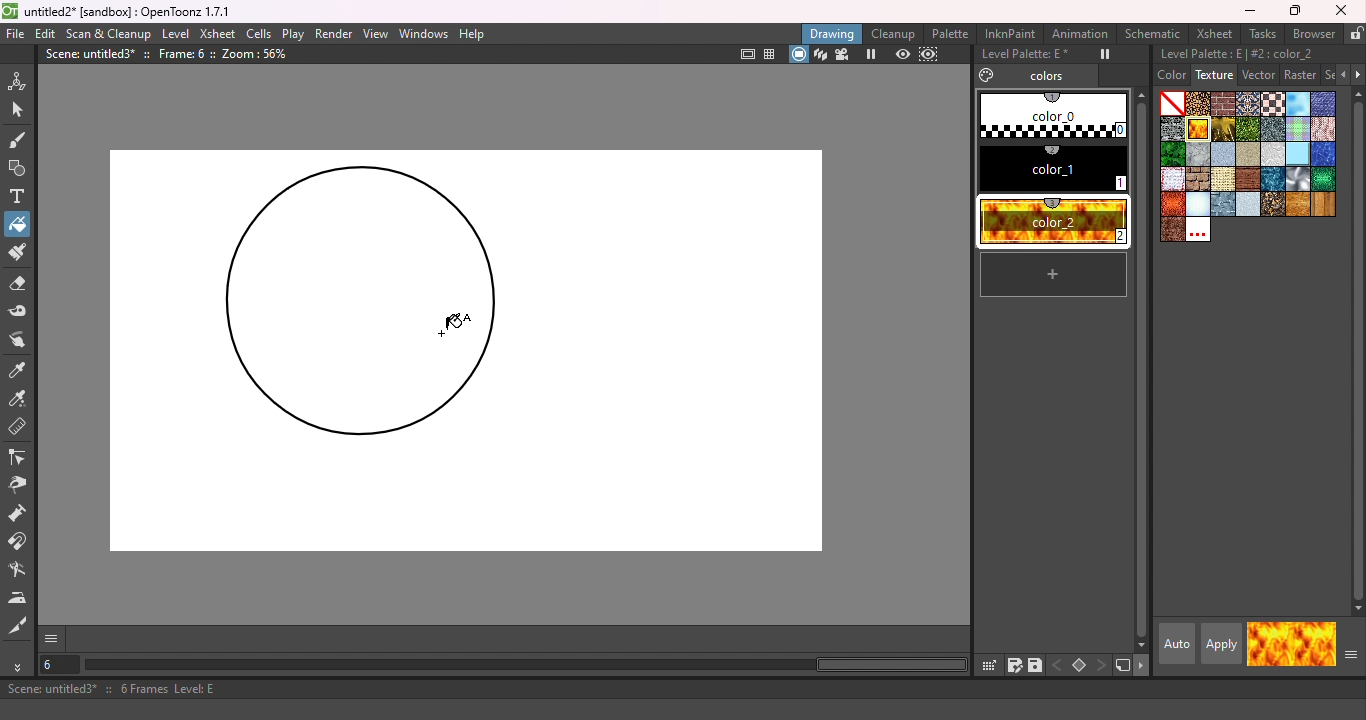  Describe the element at coordinates (1324, 102) in the screenshot. I see `Denim2_s.bmp` at that location.